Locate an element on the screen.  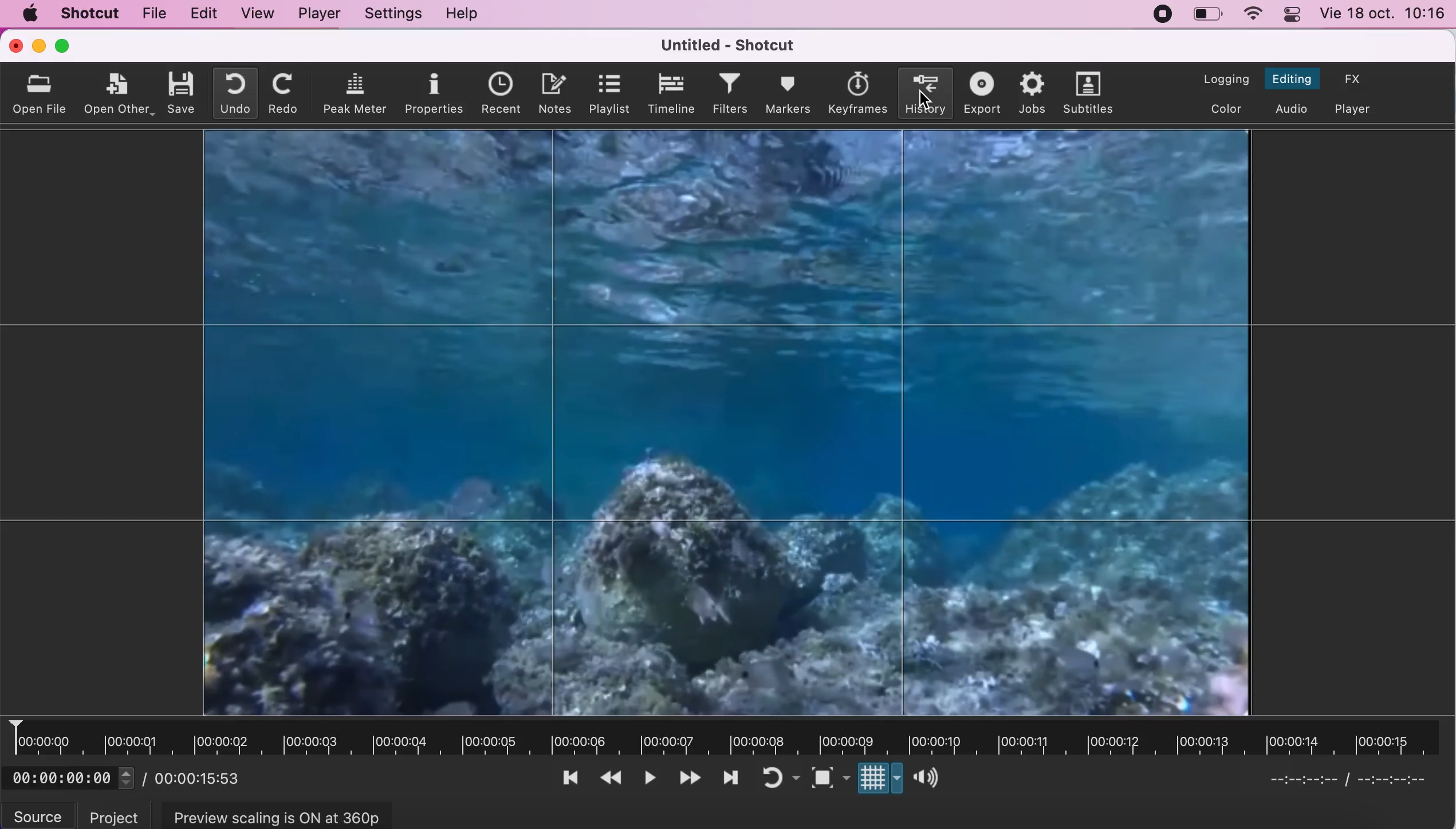
properties is located at coordinates (434, 94).